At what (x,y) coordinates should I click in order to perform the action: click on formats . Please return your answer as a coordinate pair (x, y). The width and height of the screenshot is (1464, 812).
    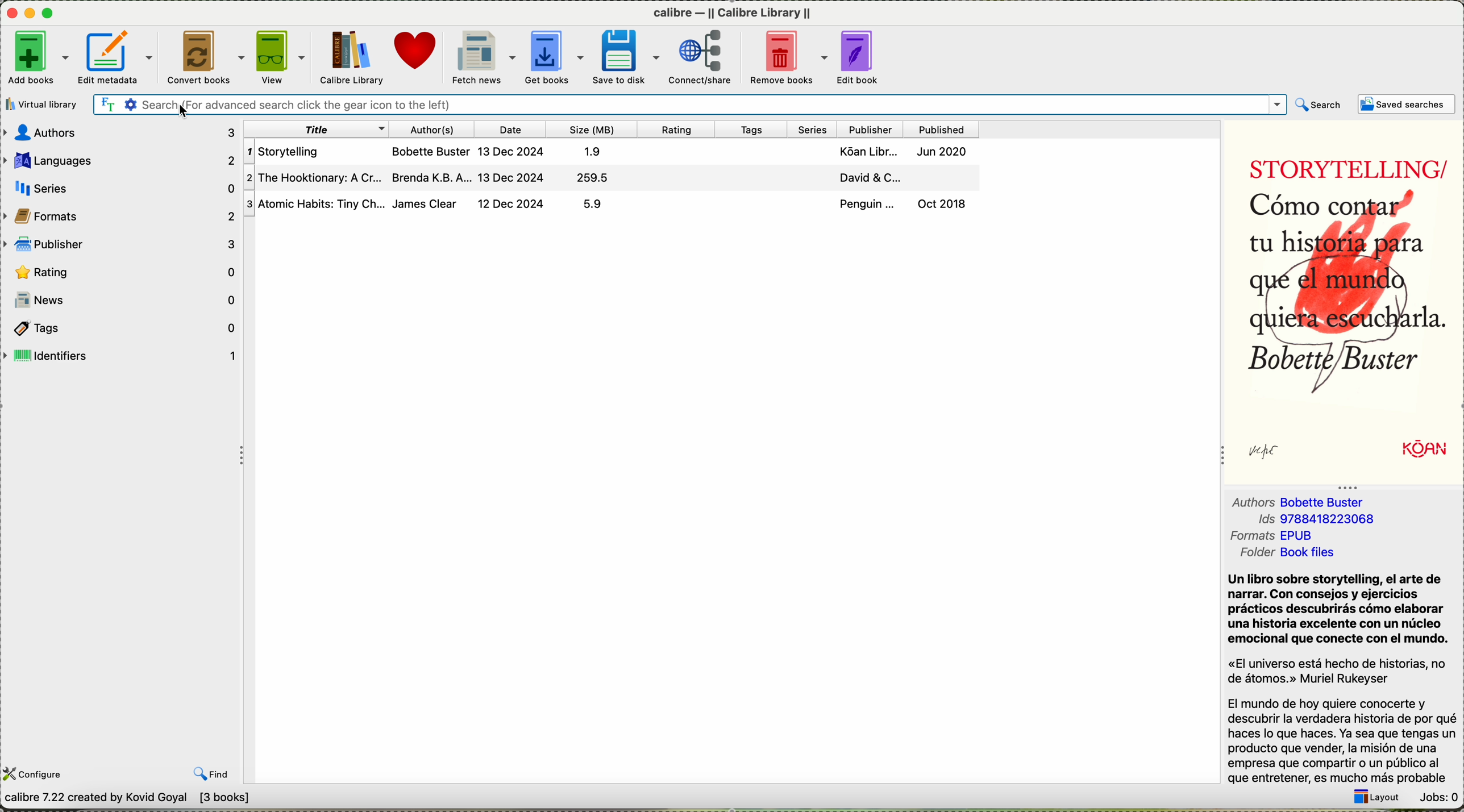
    Looking at the image, I should click on (1252, 537).